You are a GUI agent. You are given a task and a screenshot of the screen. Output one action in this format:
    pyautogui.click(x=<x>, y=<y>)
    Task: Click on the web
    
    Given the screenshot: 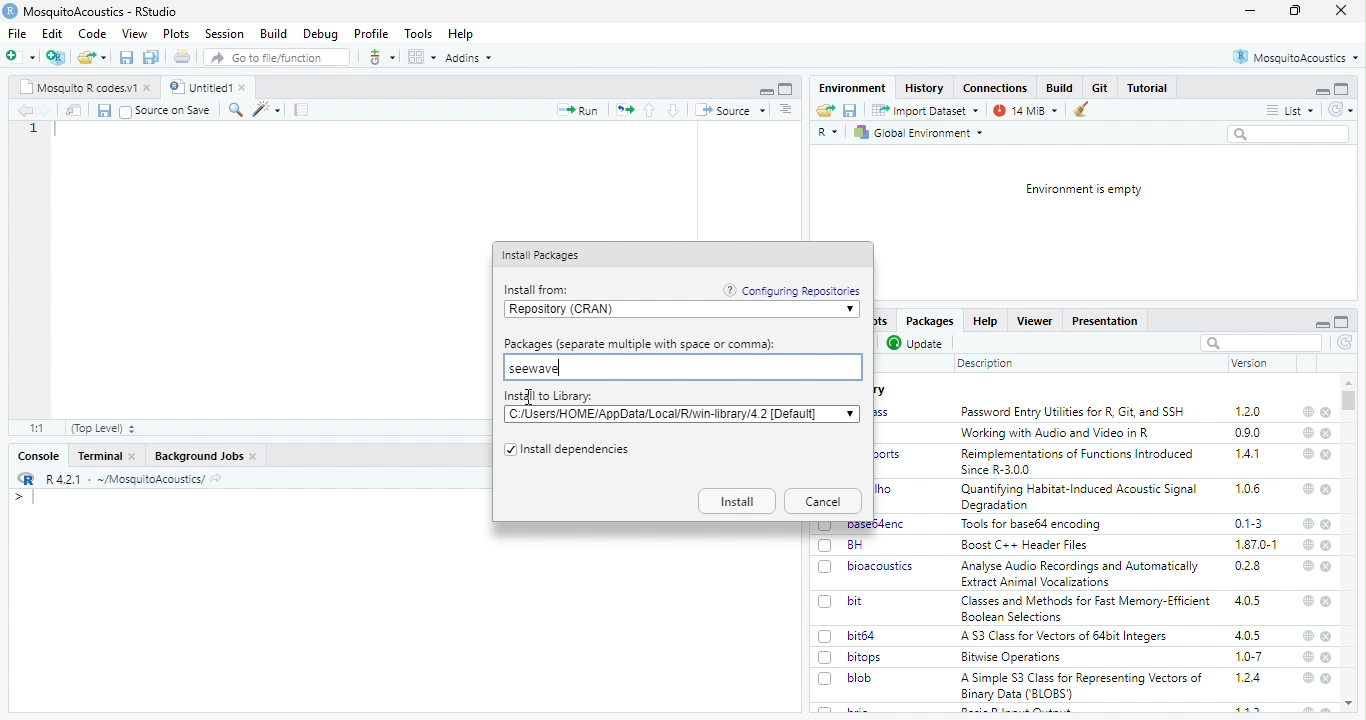 What is the action you would take?
    pyautogui.click(x=1309, y=524)
    